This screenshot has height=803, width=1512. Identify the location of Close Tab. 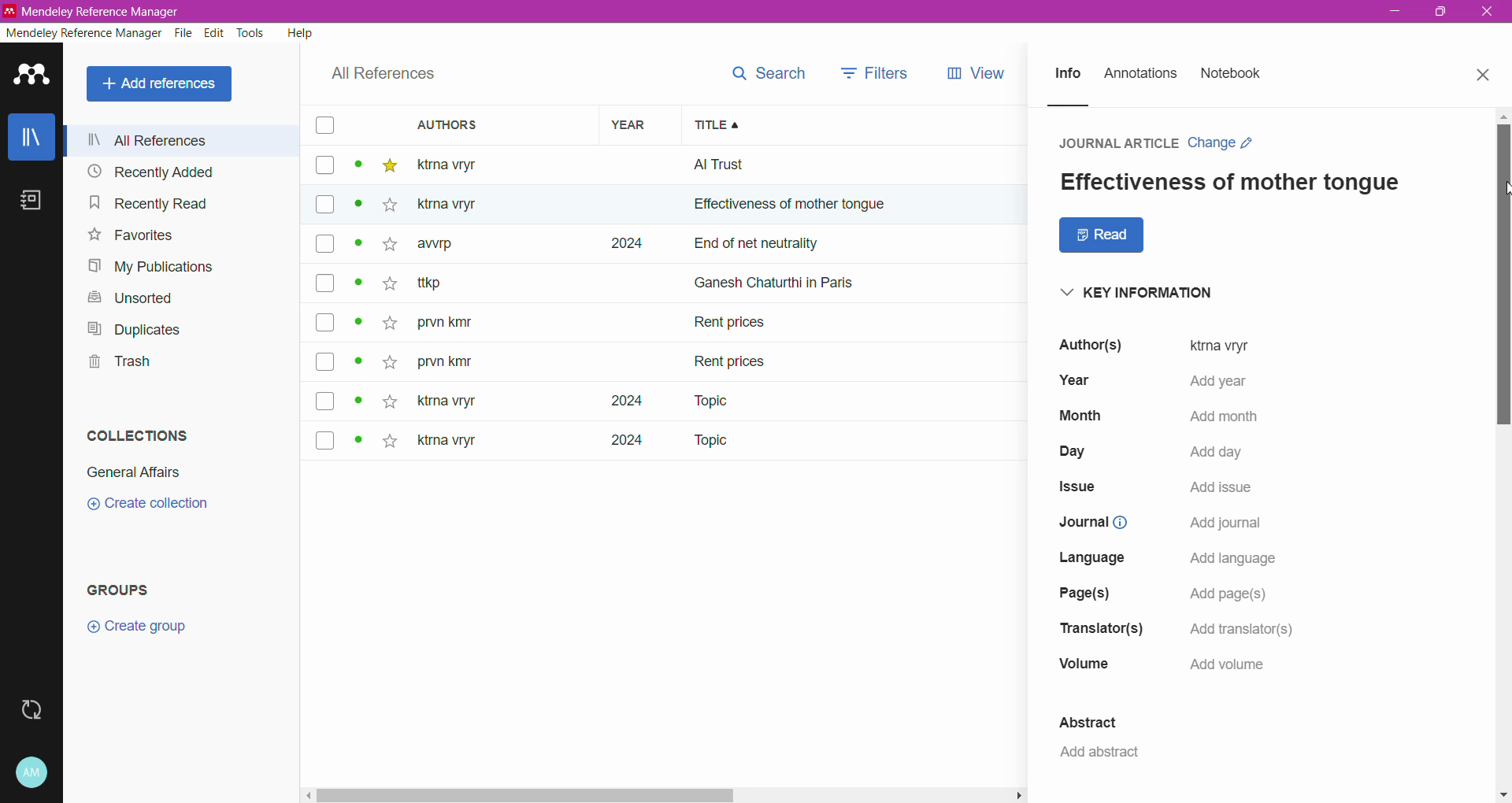
(1485, 76).